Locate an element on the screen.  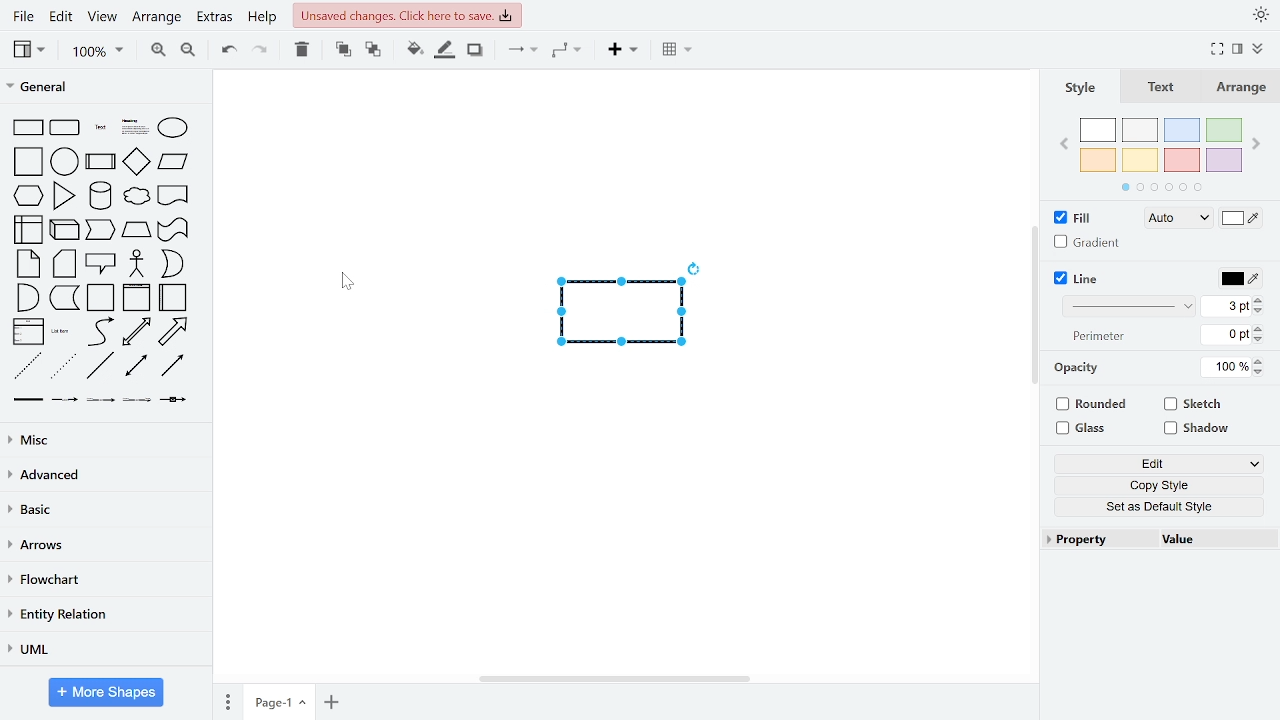
cursor is located at coordinates (354, 284).